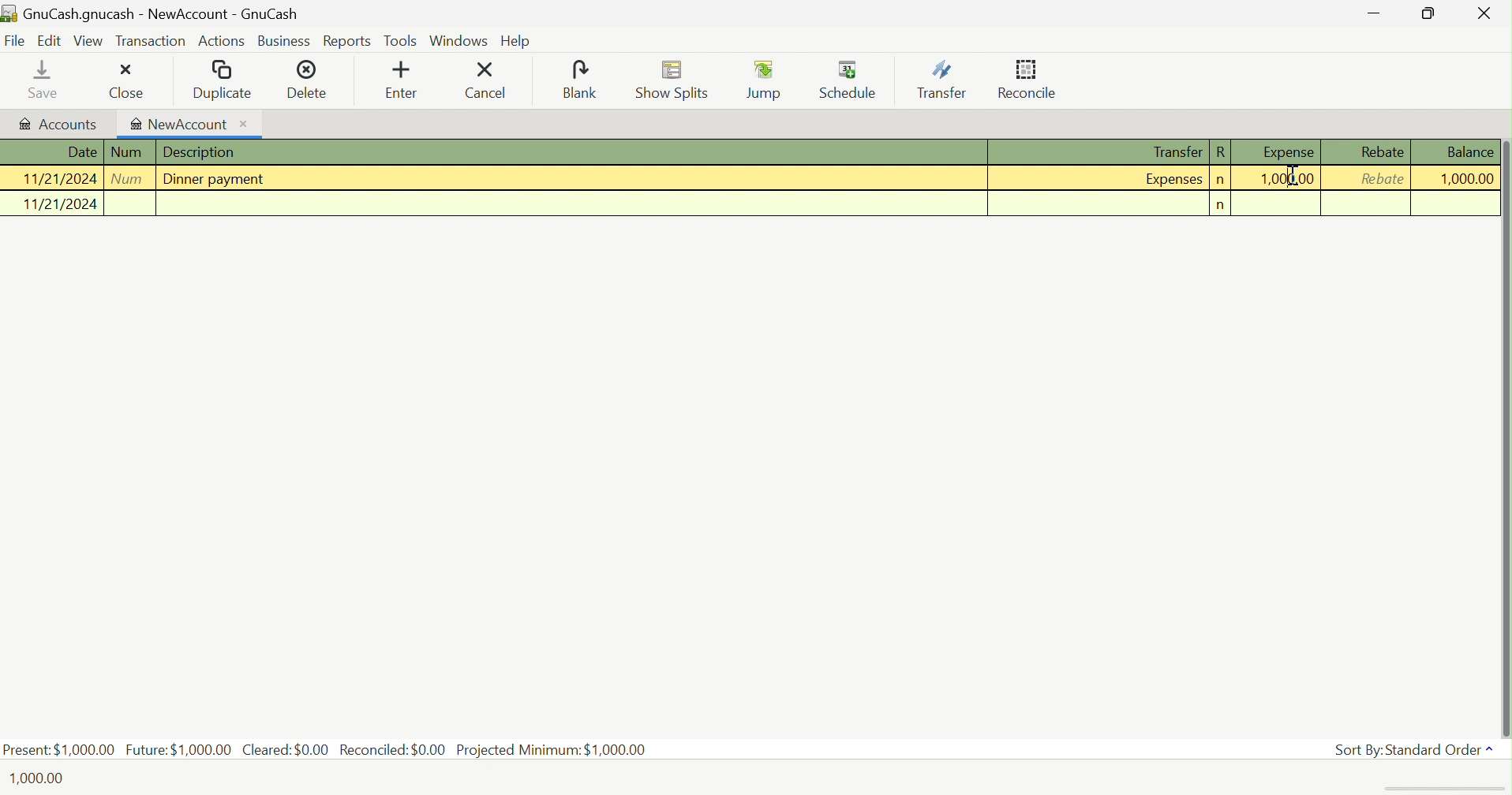 The width and height of the screenshot is (1512, 795). Describe the element at coordinates (286, 42) in the screenshot. I see `Business` at that location.